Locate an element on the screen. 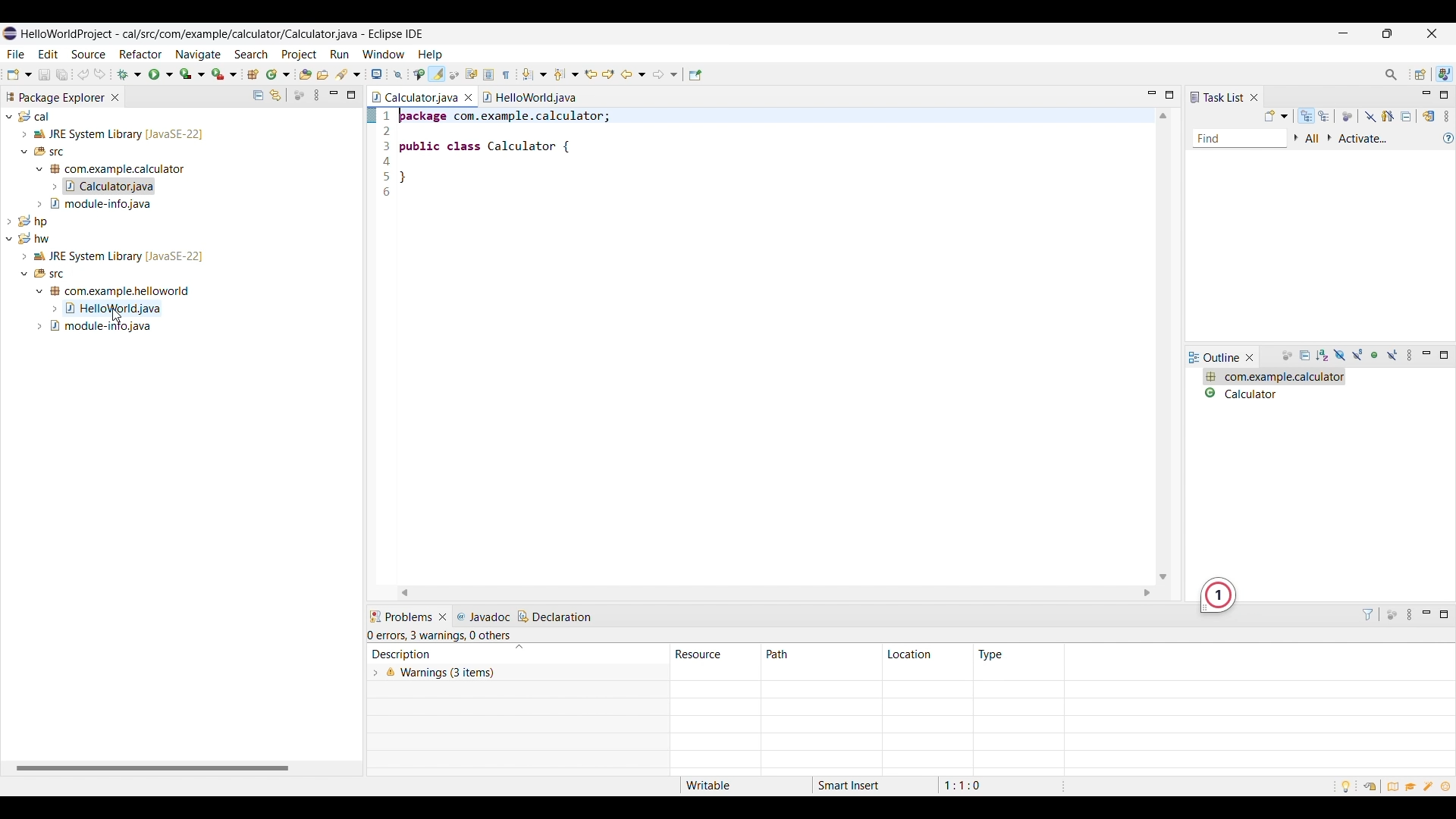 The image size is (1456, 819). New Java Package is located at coordinates (253, 74).